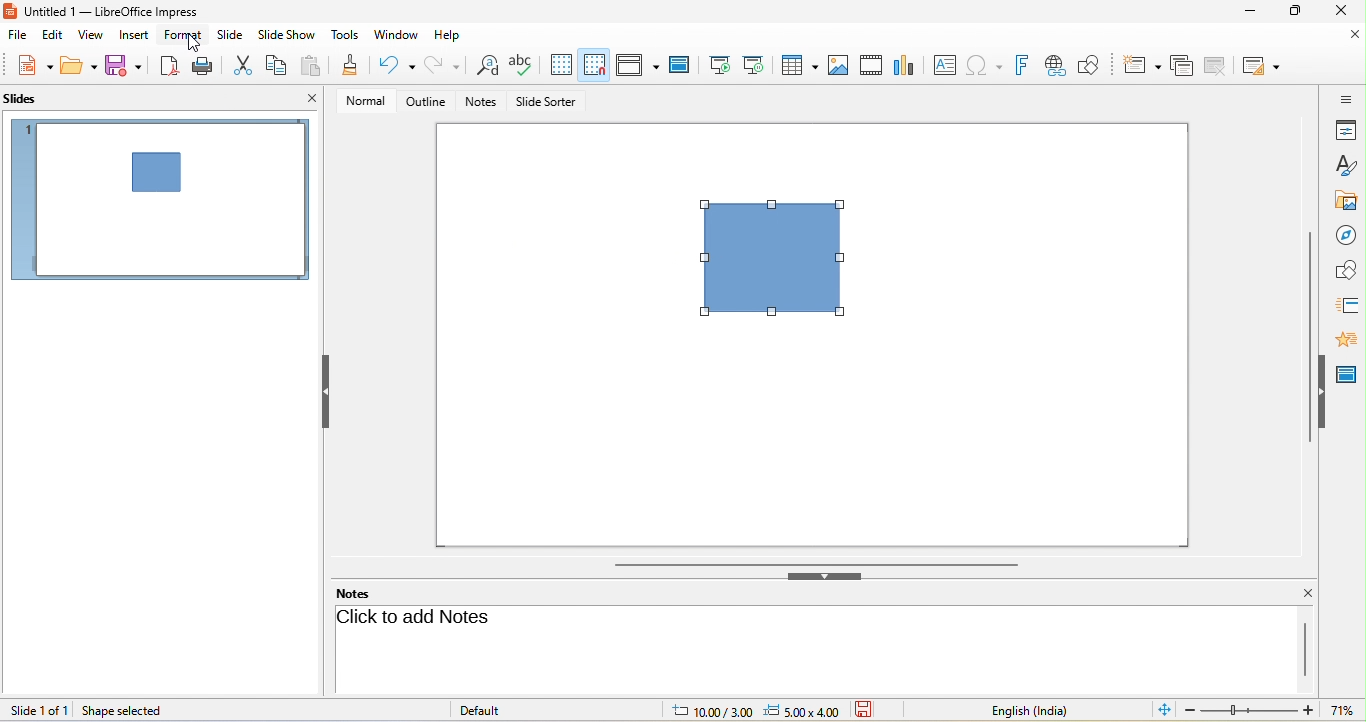 The image size is (1366, 722). What do you see at coordinates (418, 617) in the screenshot?
I see `click to add notes` at bounding box center [418, 617].